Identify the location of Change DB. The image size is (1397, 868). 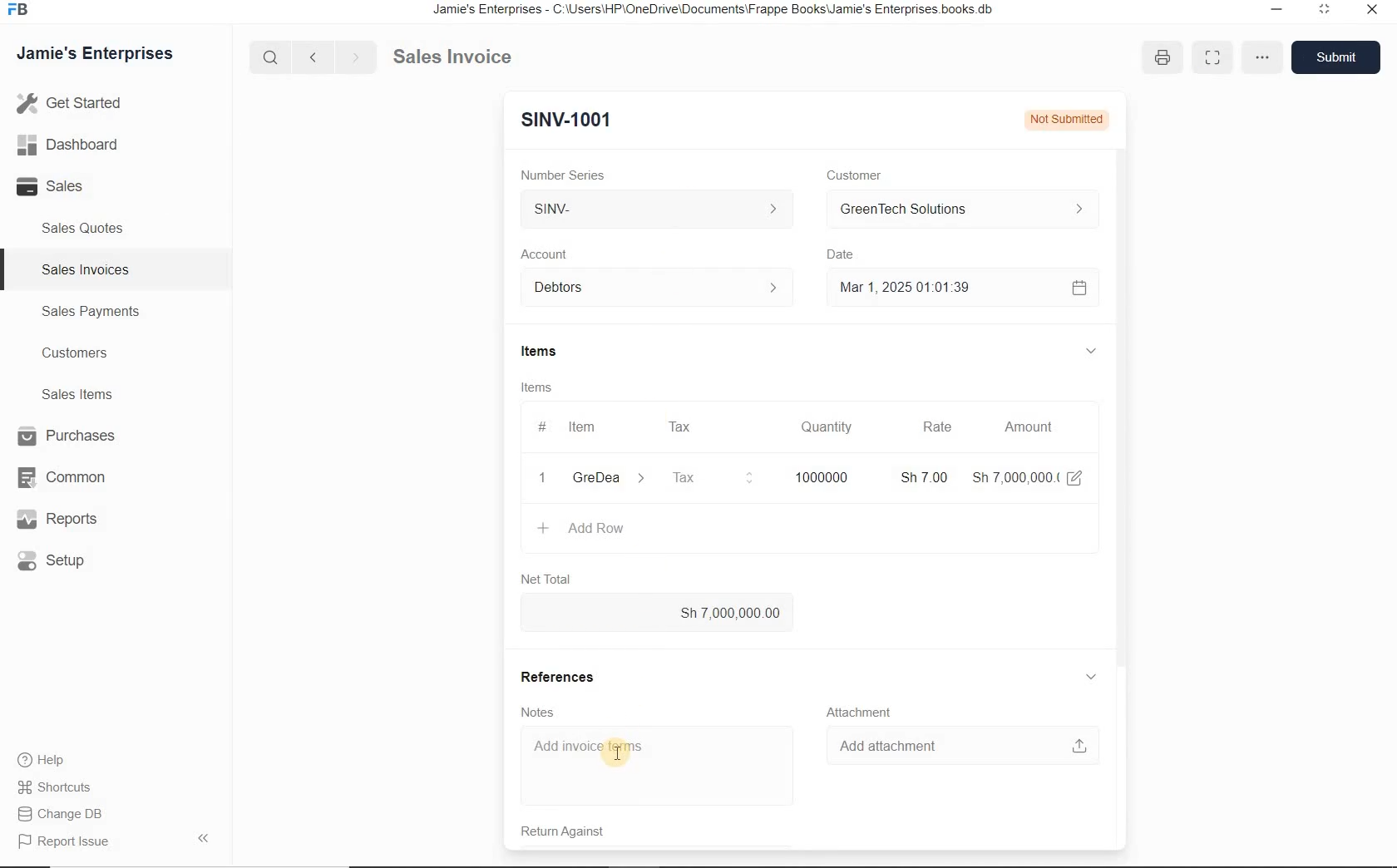
(62, 813).